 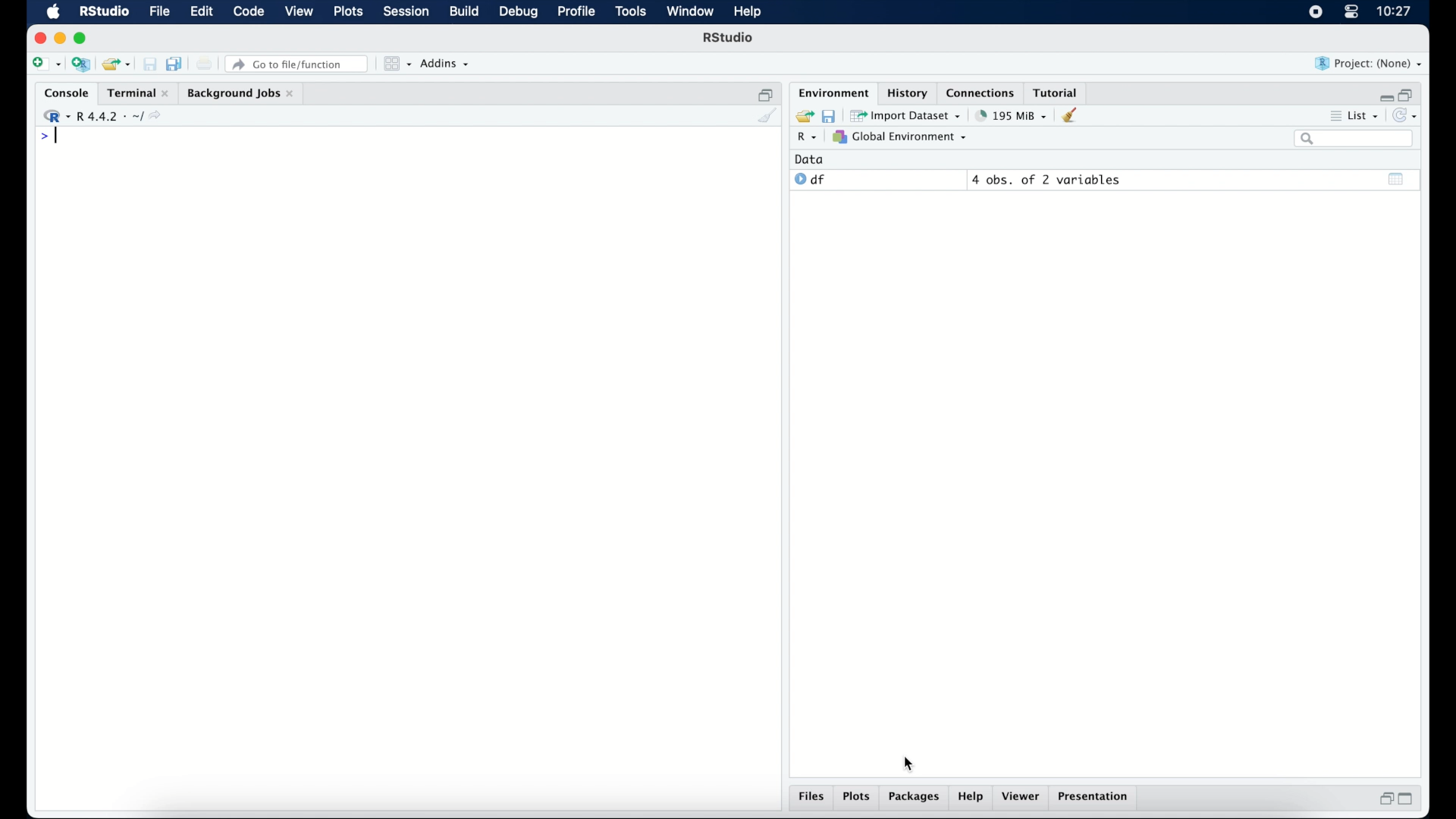 What do you see at coordinates (519, 13) in the screenshot?
I see `debug` at bounding box center [519, 13].